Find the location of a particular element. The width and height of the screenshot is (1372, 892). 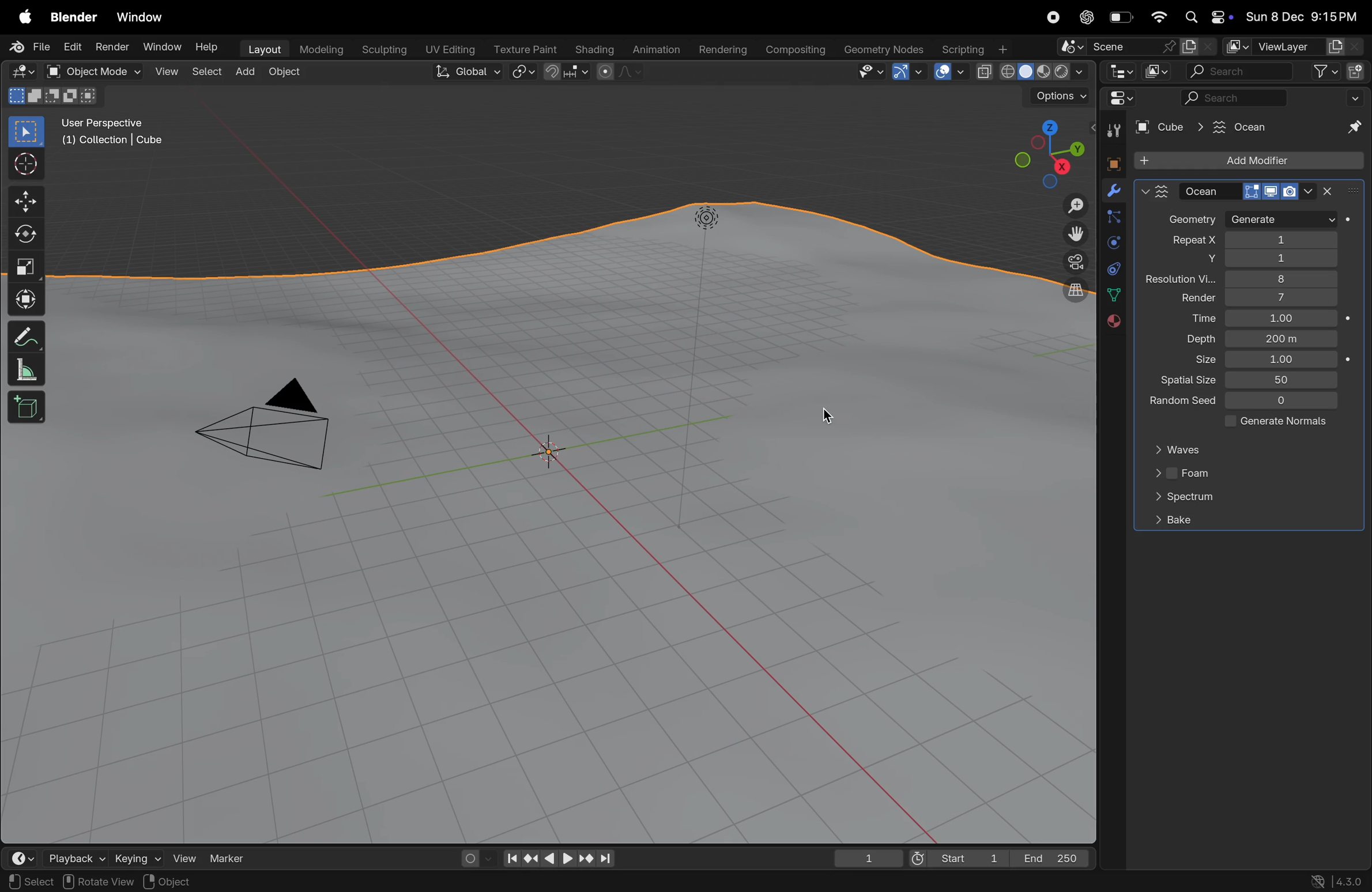

1 is located at coordinates (1282, 360).